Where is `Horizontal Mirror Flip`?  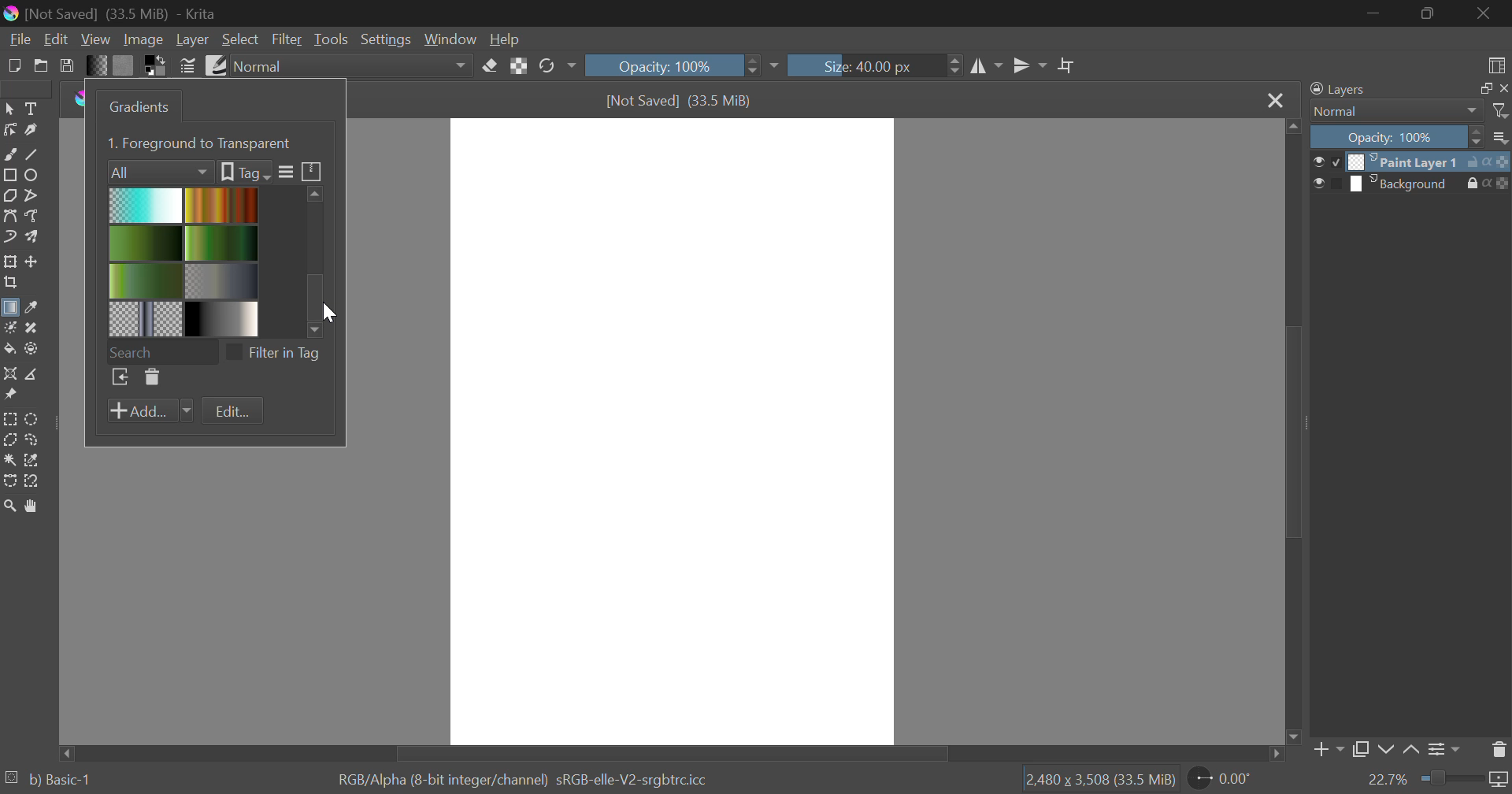 Horizontal Mirror Flip is located at coordinates (1026, 68).